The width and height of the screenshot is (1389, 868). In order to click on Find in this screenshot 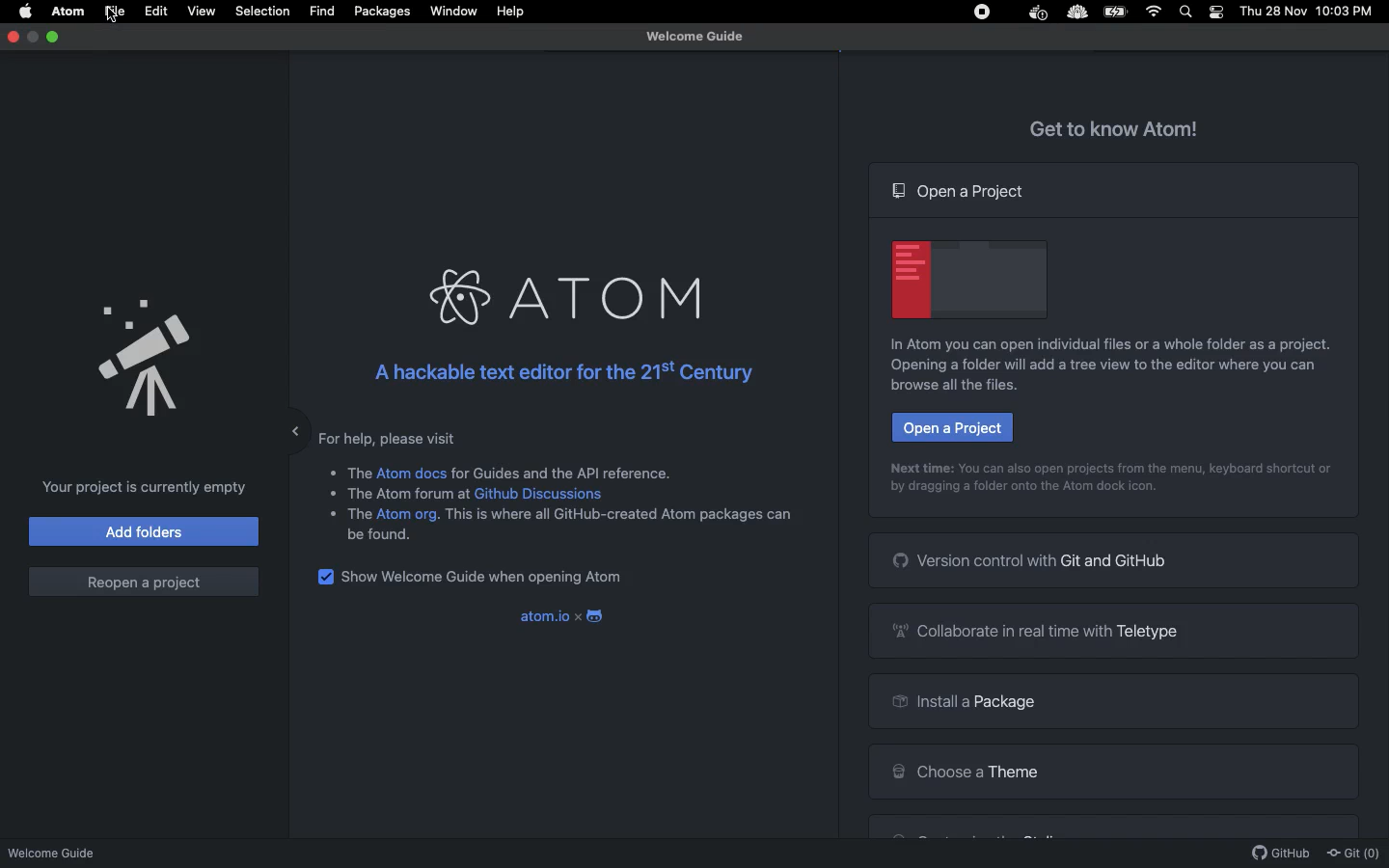, I will do `click(321, 12)`.